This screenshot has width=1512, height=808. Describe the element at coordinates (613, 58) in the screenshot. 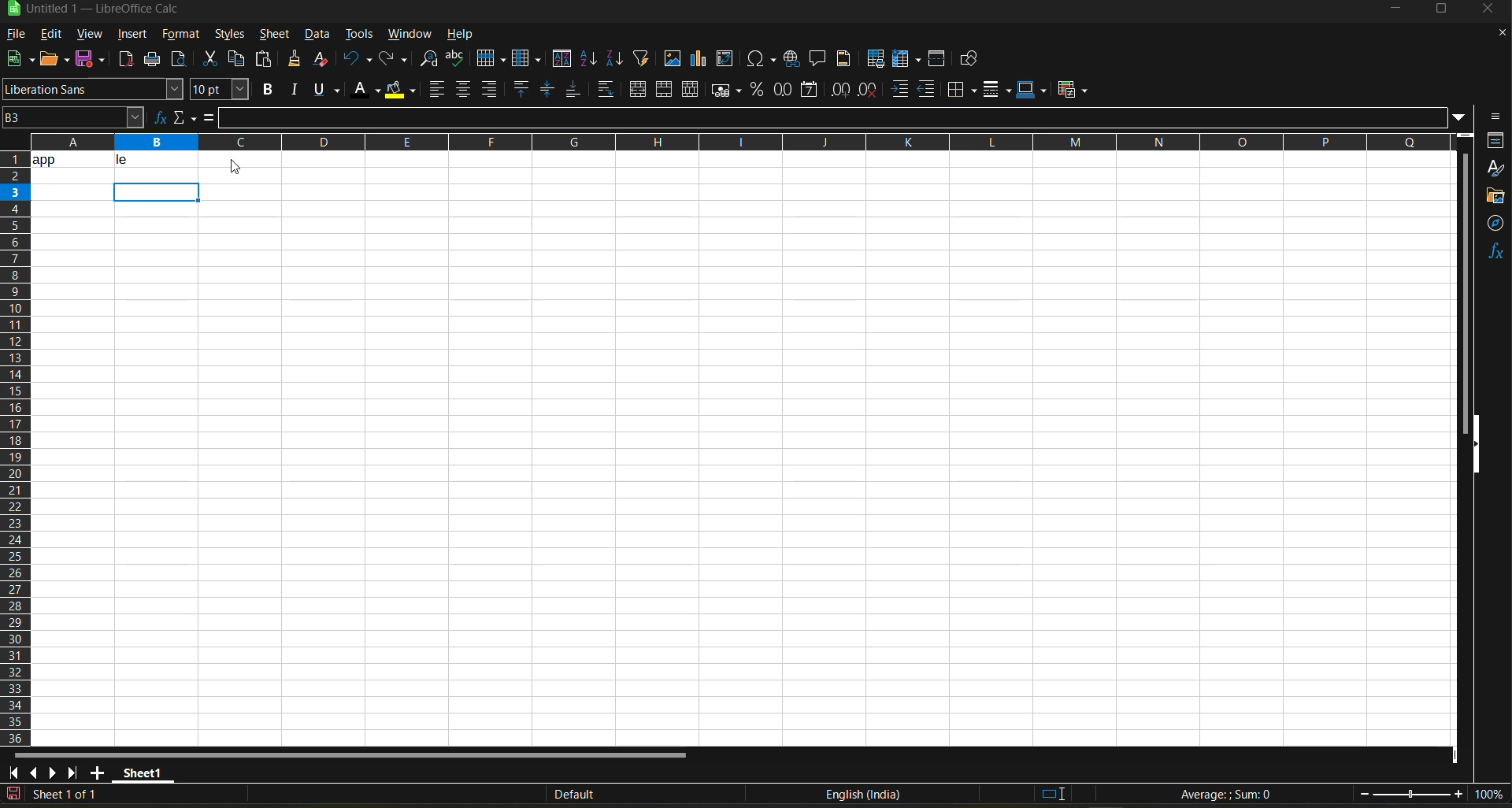

I see `sort descending` at that location.